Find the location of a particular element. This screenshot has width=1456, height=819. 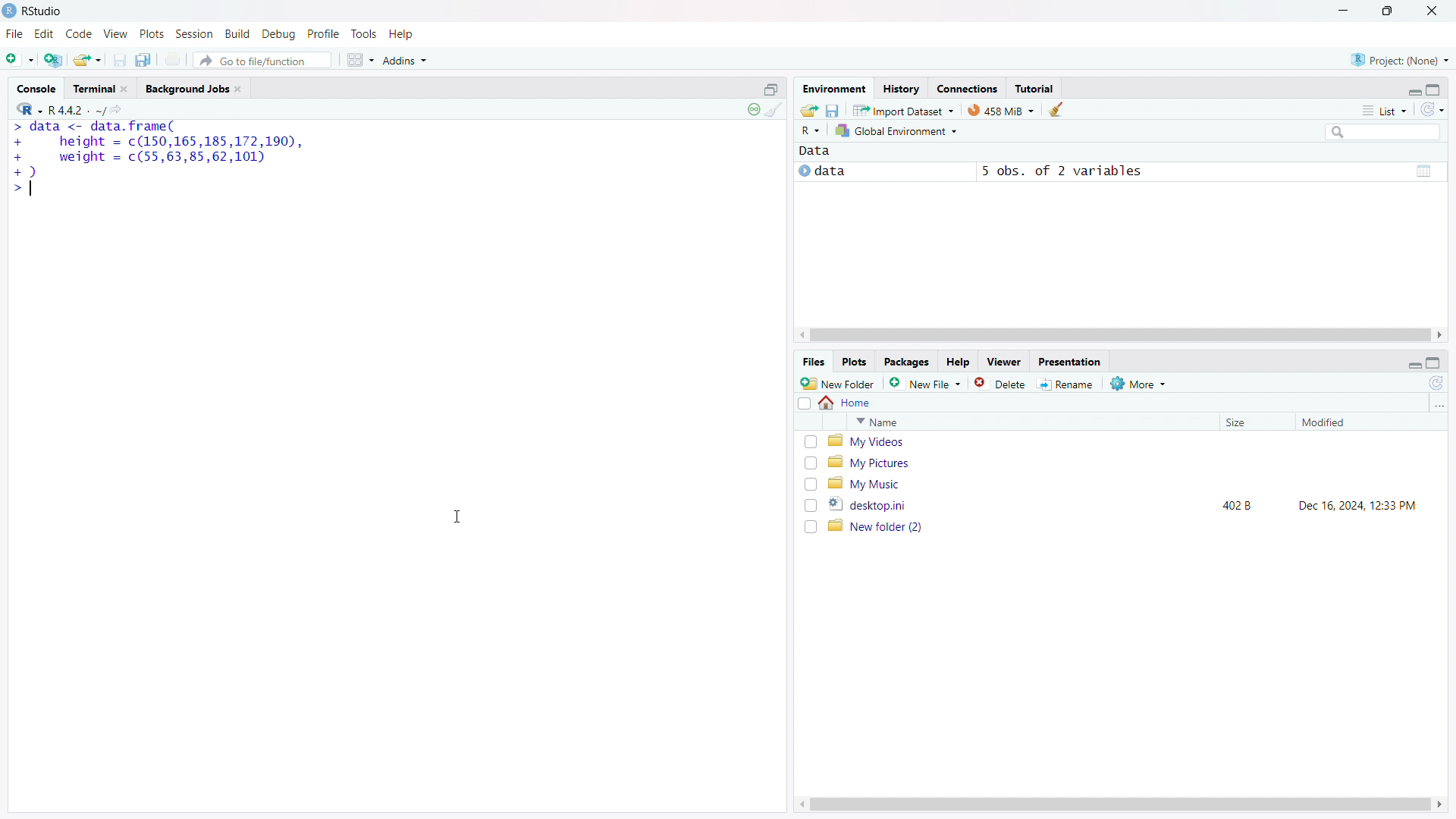

horizontal scrollbar is located at coordinates (1119, 804).